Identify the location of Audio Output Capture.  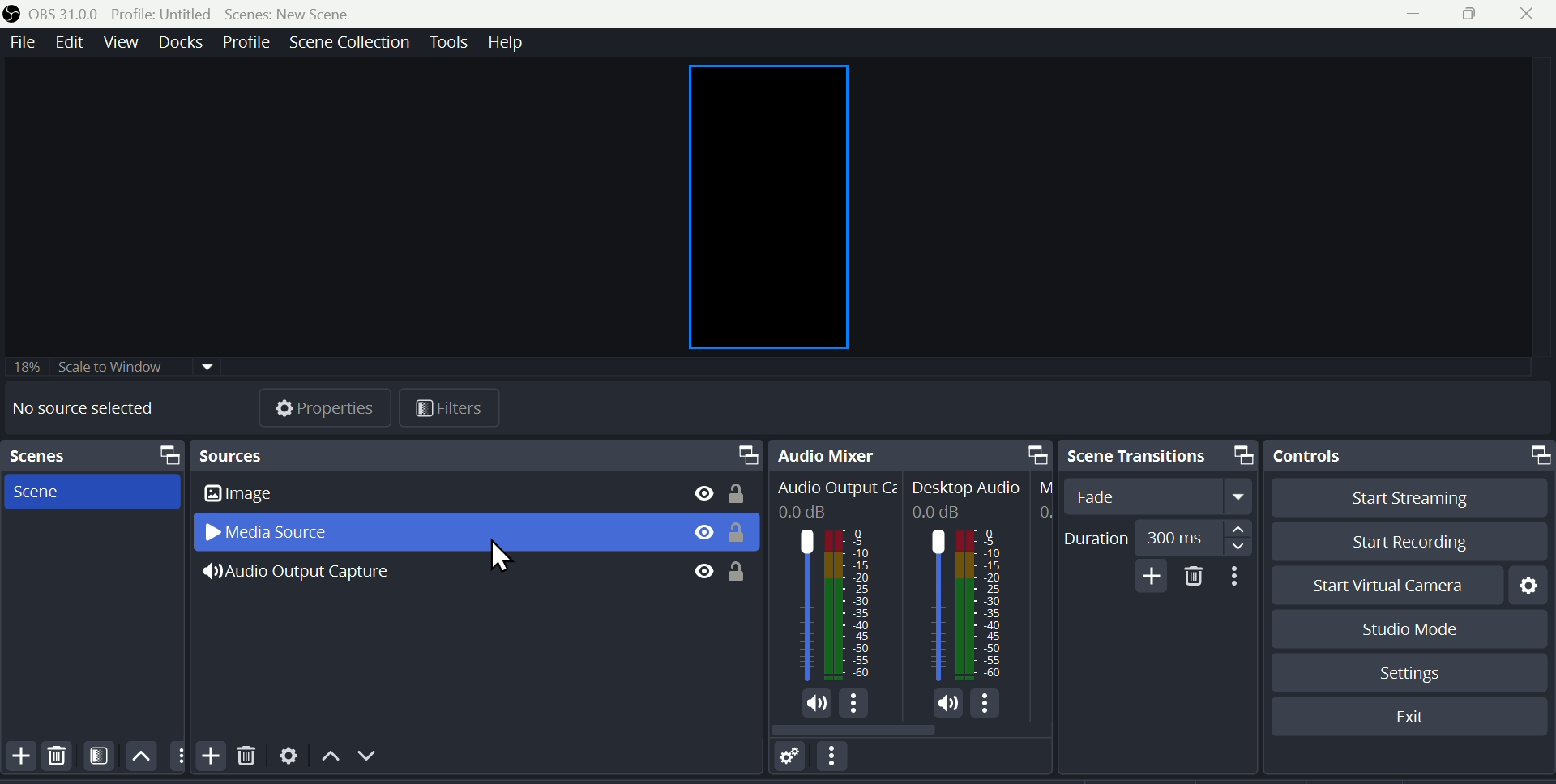
(836, 489).